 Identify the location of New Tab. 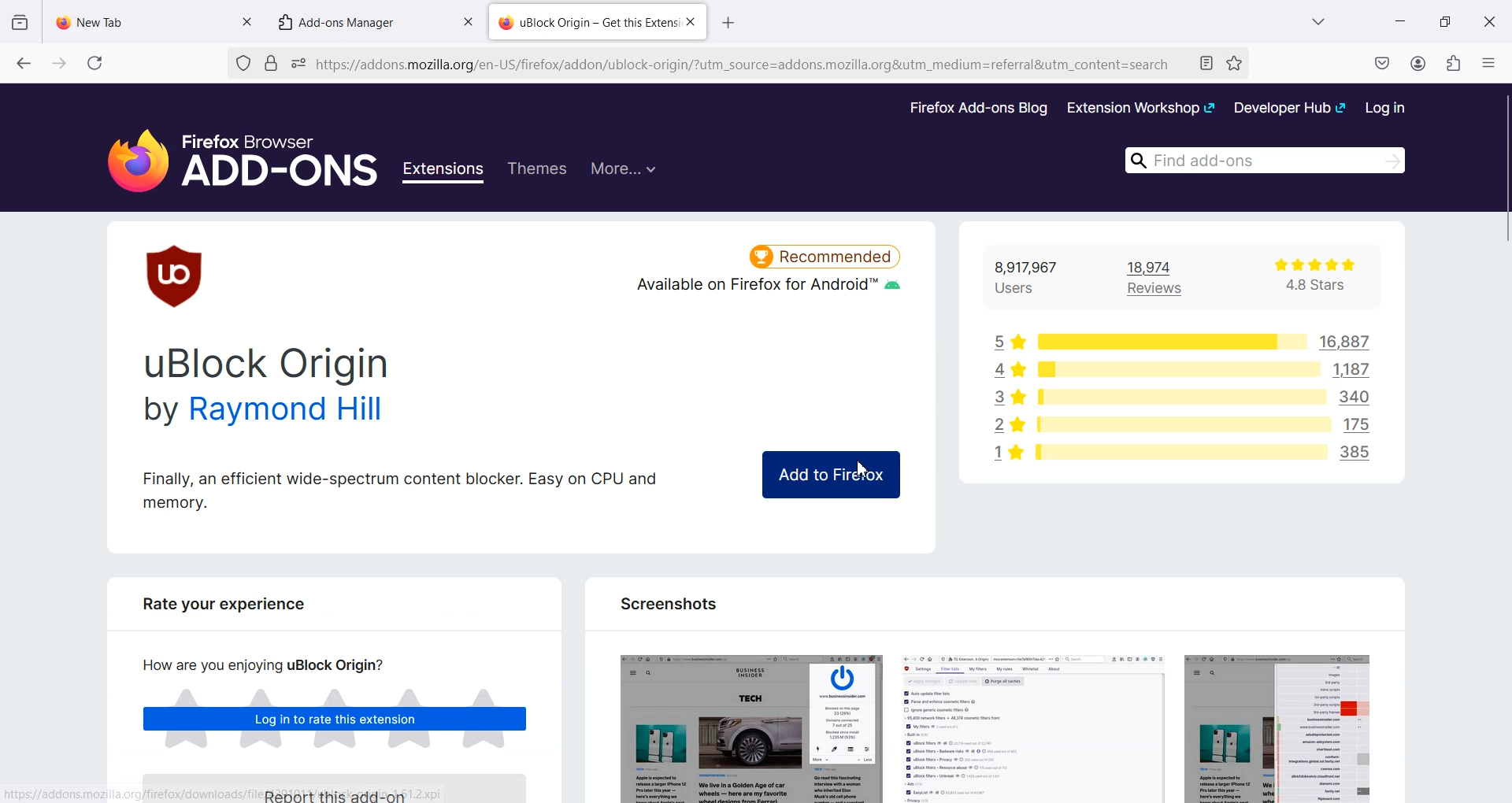
(140, 18).